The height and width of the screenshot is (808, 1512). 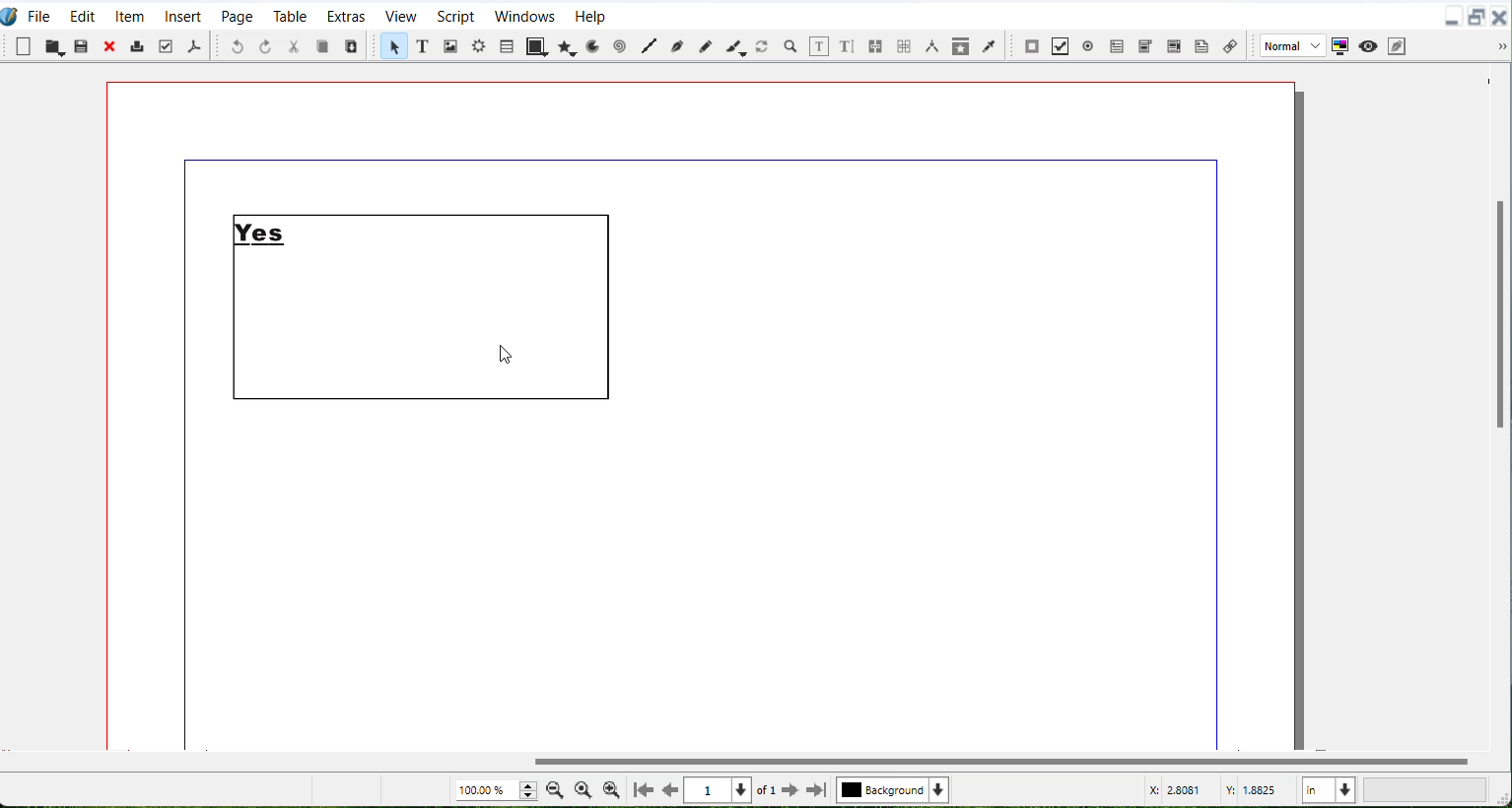 What do you see at coordinates (1478, 16) in the screenshot?
I see `Maximize` at bounding box center [1478, 16].